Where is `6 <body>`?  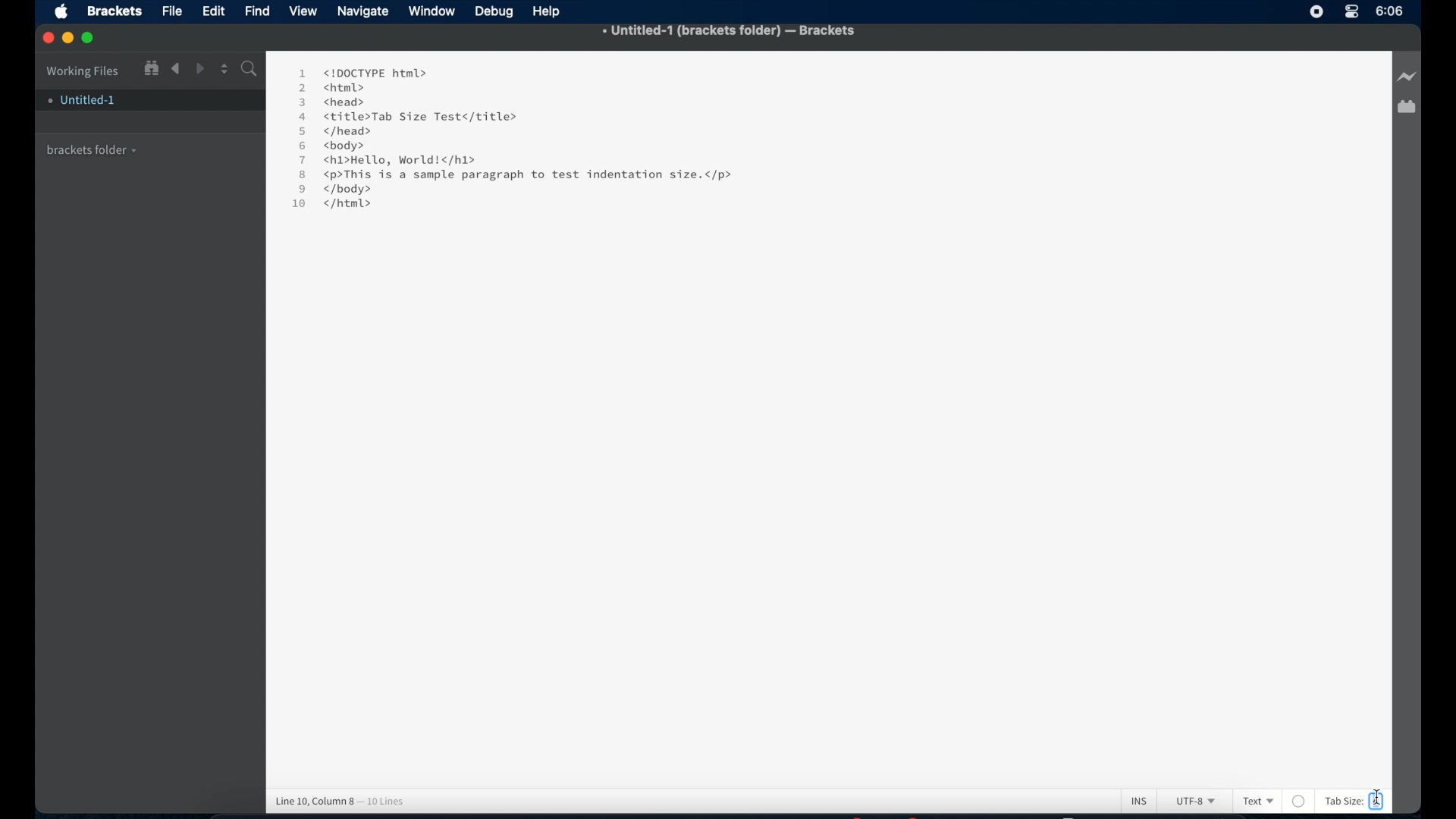
6 <body> is located at coordinates (337, 146).